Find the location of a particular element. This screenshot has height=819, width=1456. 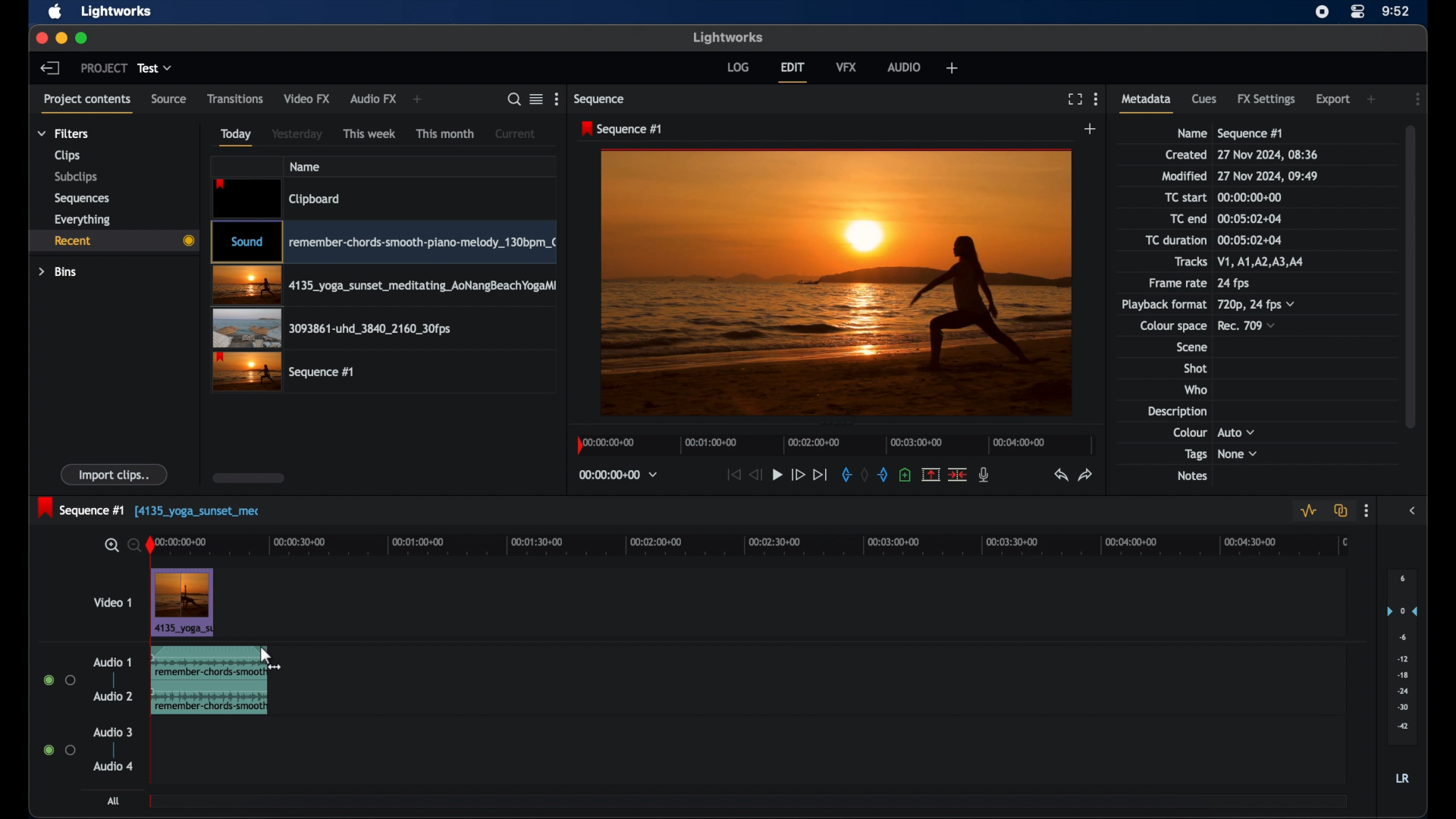

cues is located at coordinates (1204, 98).